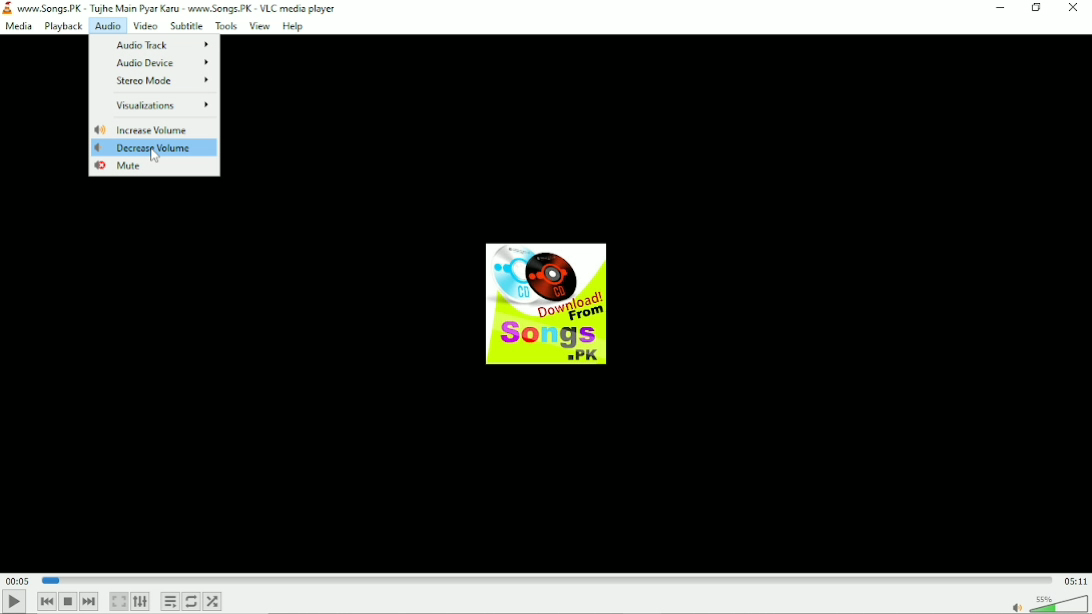 The image size is (1092, 614). I want to click on Toggle video in fullscreen, so click(119, 602).